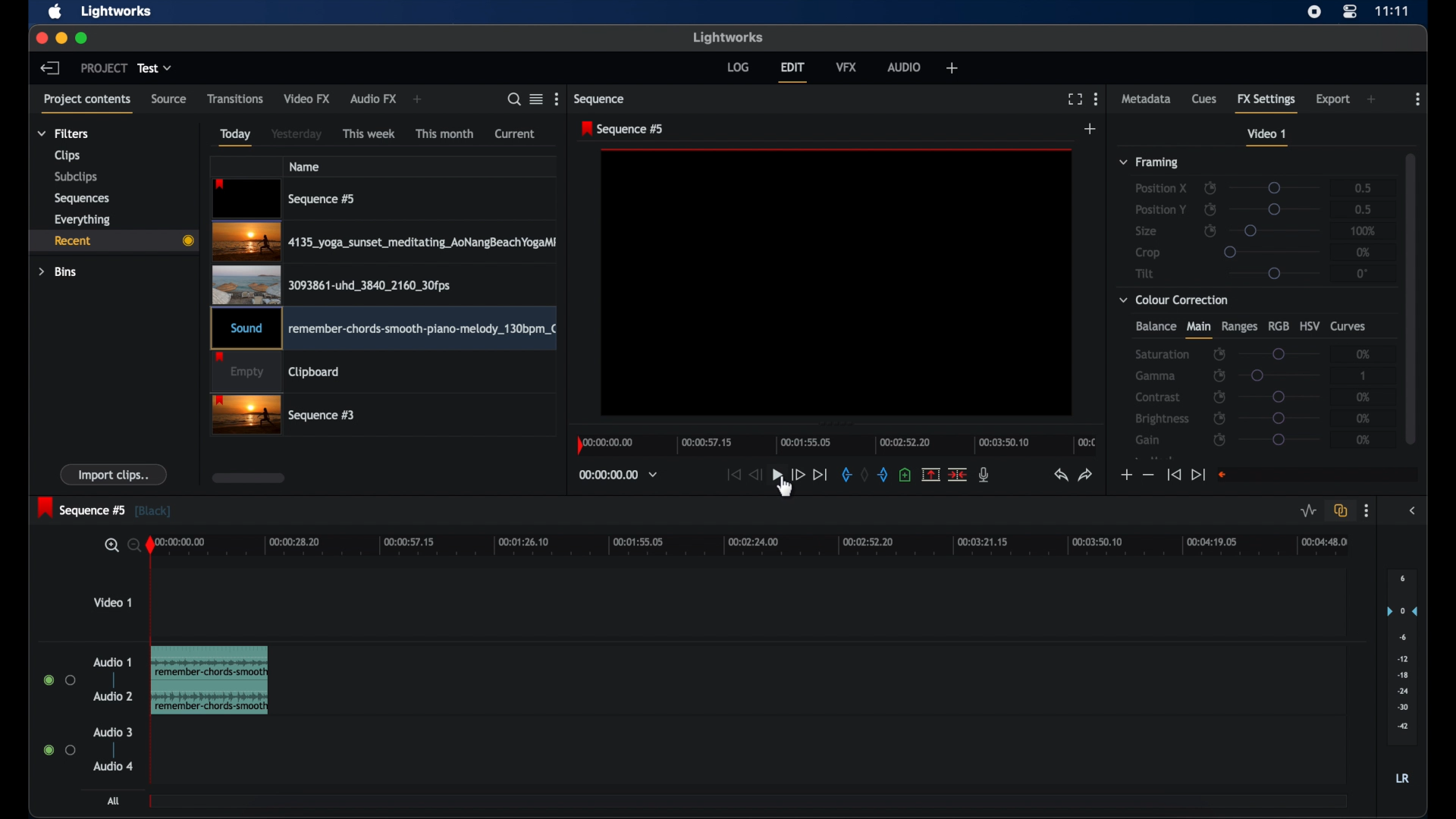  What do you see at coordinates (1210, 187) in the screenshot?
I see `enable/disable keyframes` at bounding box center [1210, 187].